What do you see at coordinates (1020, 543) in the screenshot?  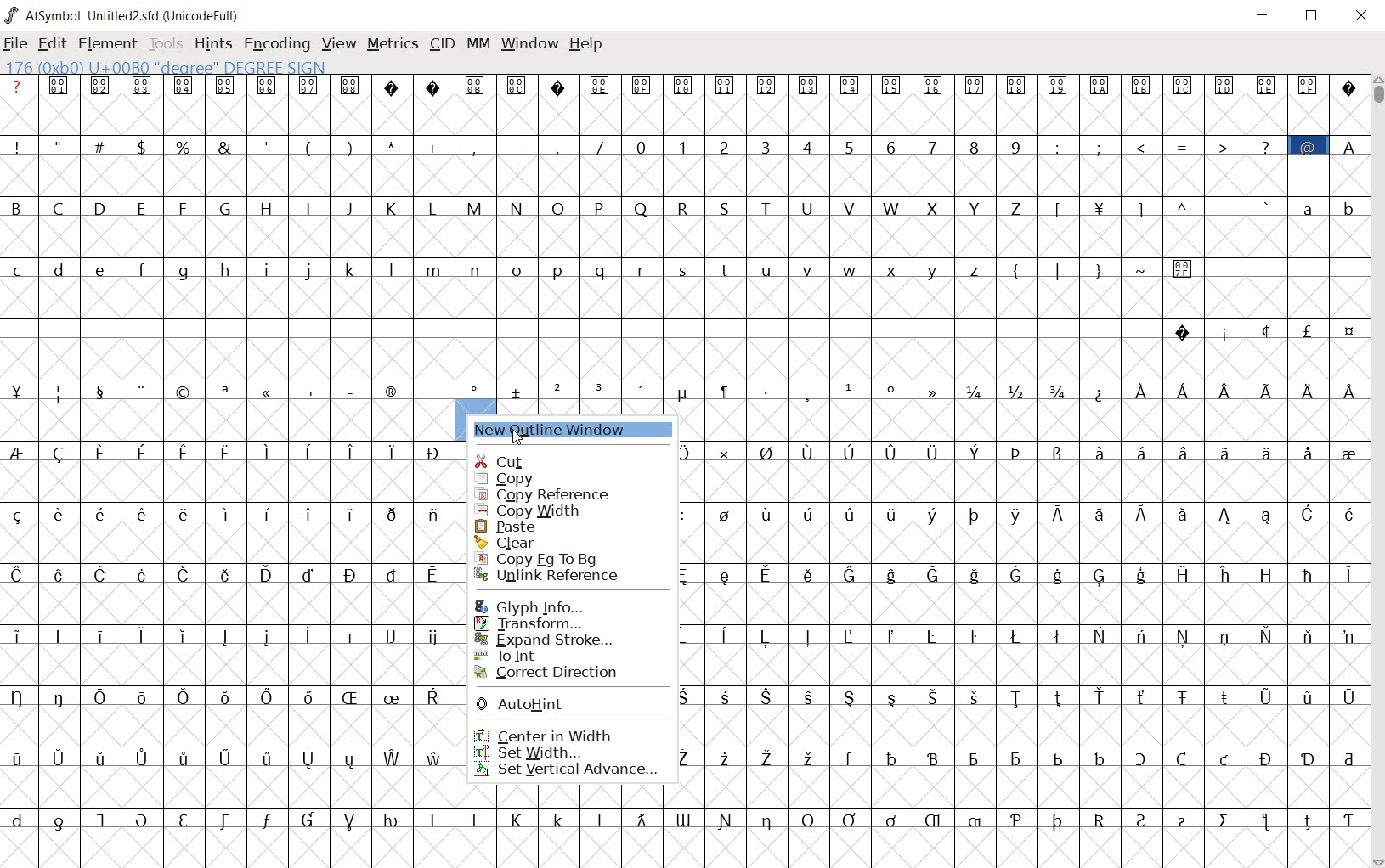 I see `empty glyph slots` at bounding box center [1020, 543].